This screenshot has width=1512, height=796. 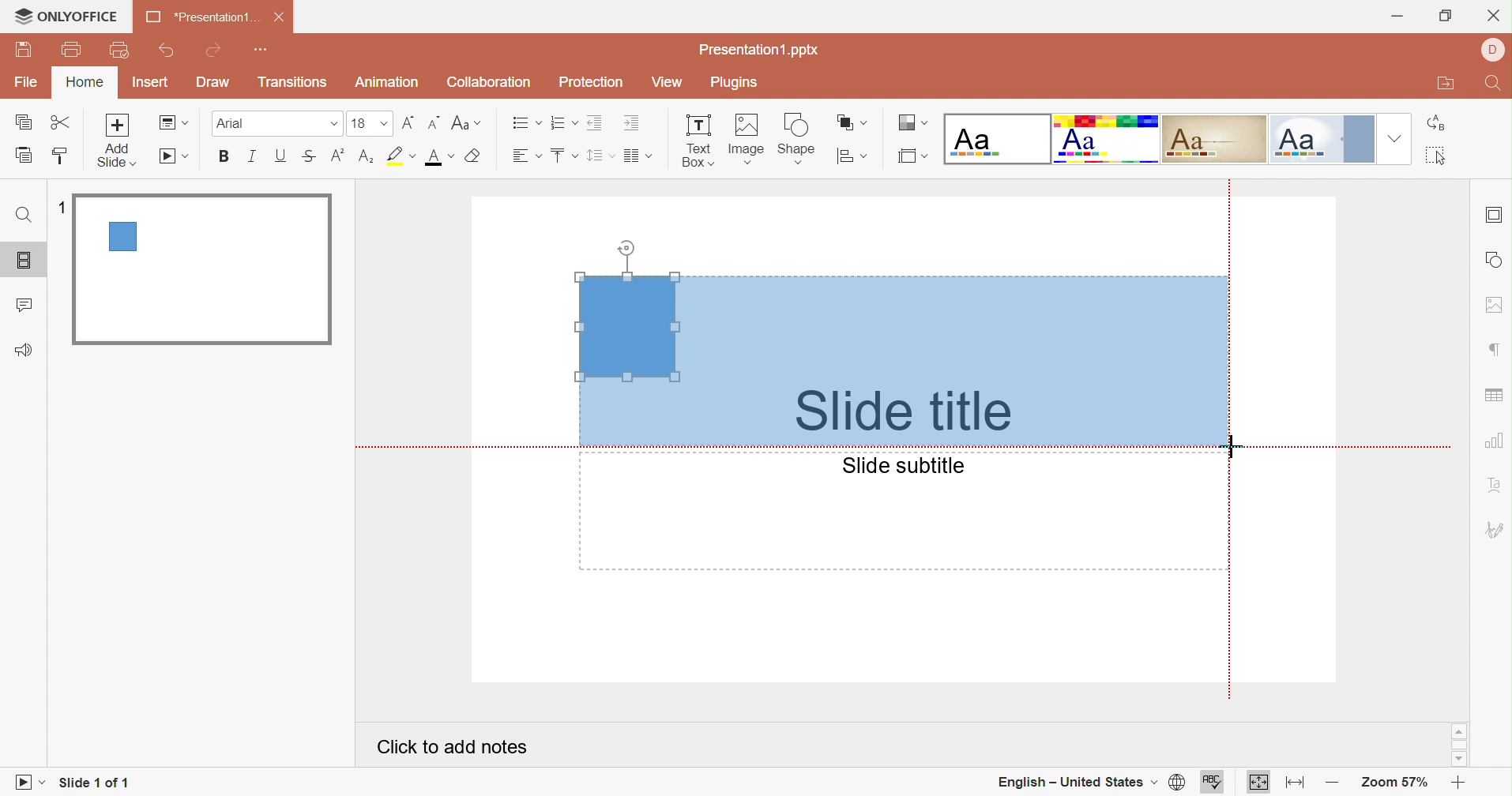 What do you see at coordinates (1334, 784) in the screenshot?
I see `Zoom out` at bounding box center [1334, 784].